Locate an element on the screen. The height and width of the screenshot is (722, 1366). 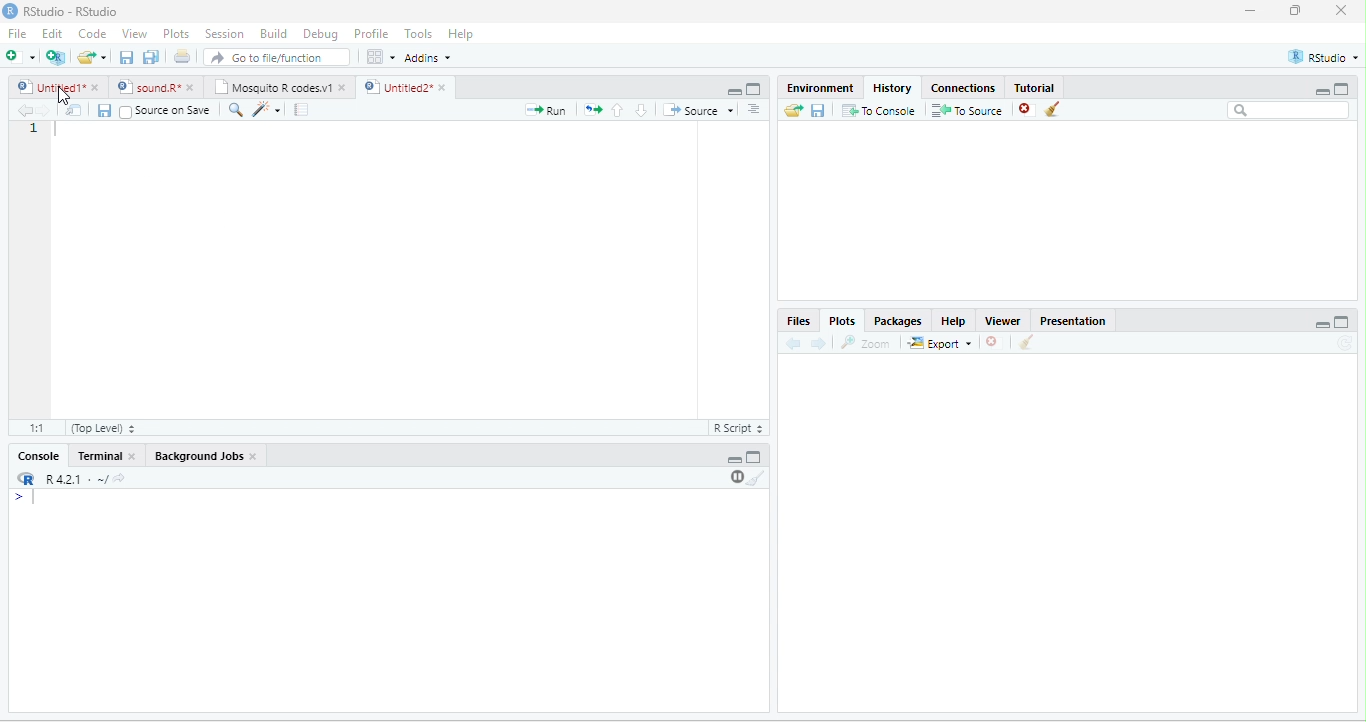
close is located at coordinates (445, 87).